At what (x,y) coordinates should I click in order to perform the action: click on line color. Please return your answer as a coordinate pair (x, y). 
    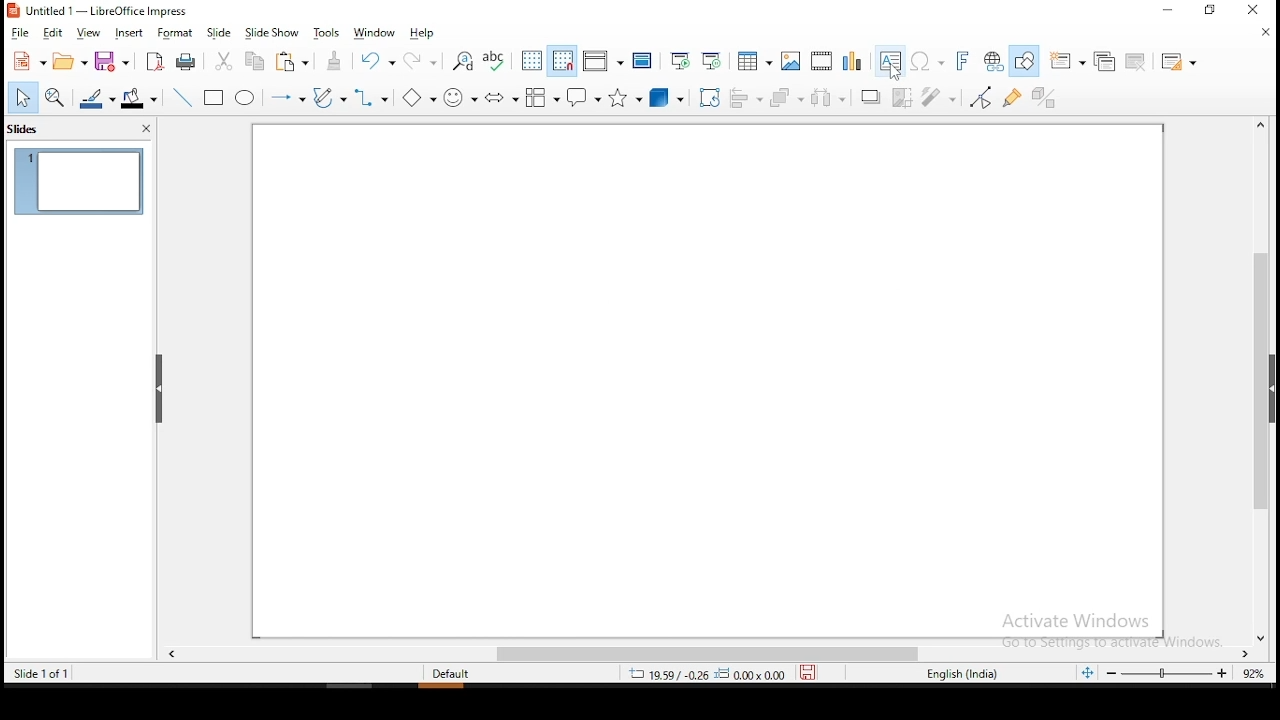
    Looking at the image, I should click on (95, 100).